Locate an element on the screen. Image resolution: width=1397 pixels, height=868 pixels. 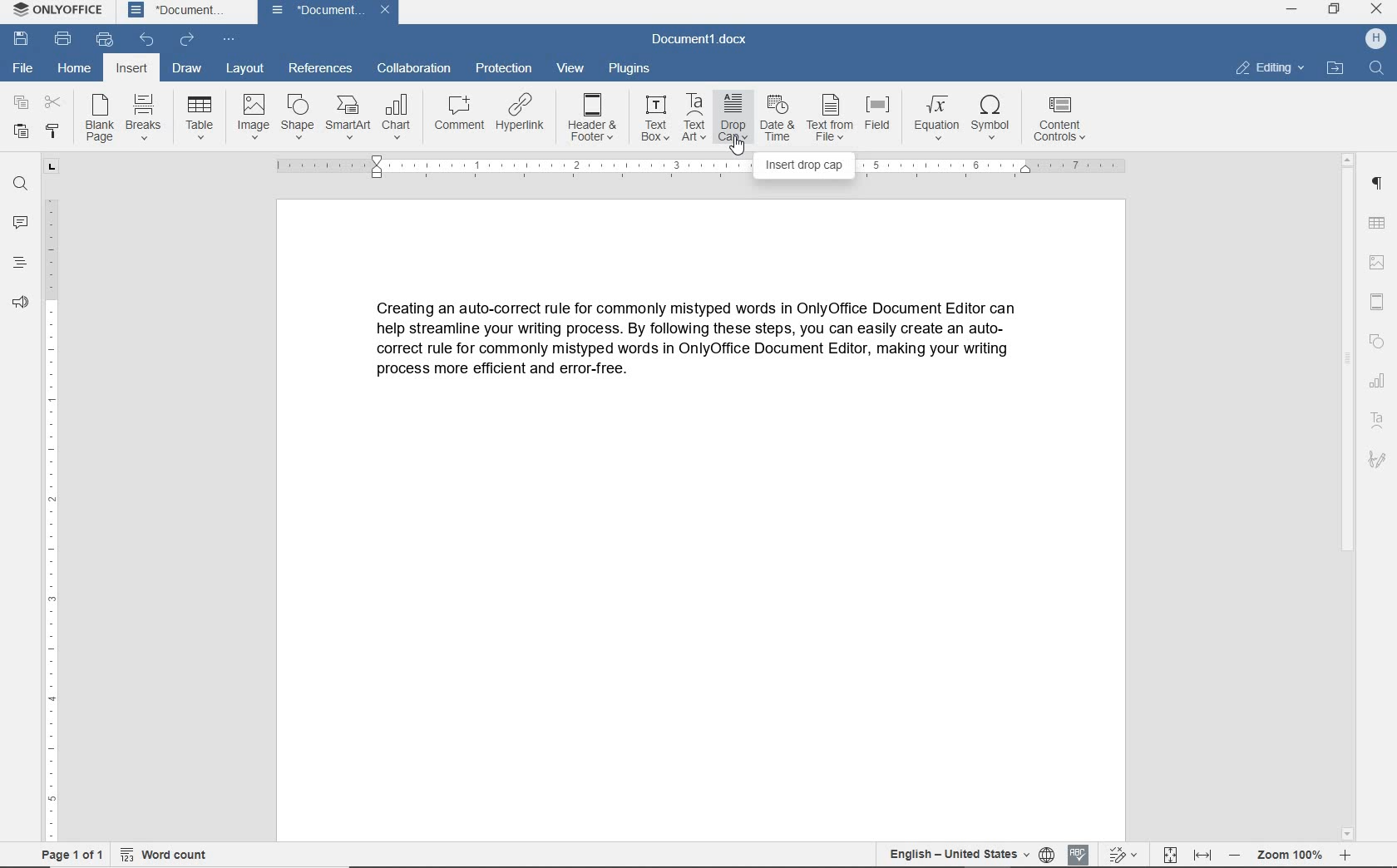
date & time is located at coordinates (776, 119).